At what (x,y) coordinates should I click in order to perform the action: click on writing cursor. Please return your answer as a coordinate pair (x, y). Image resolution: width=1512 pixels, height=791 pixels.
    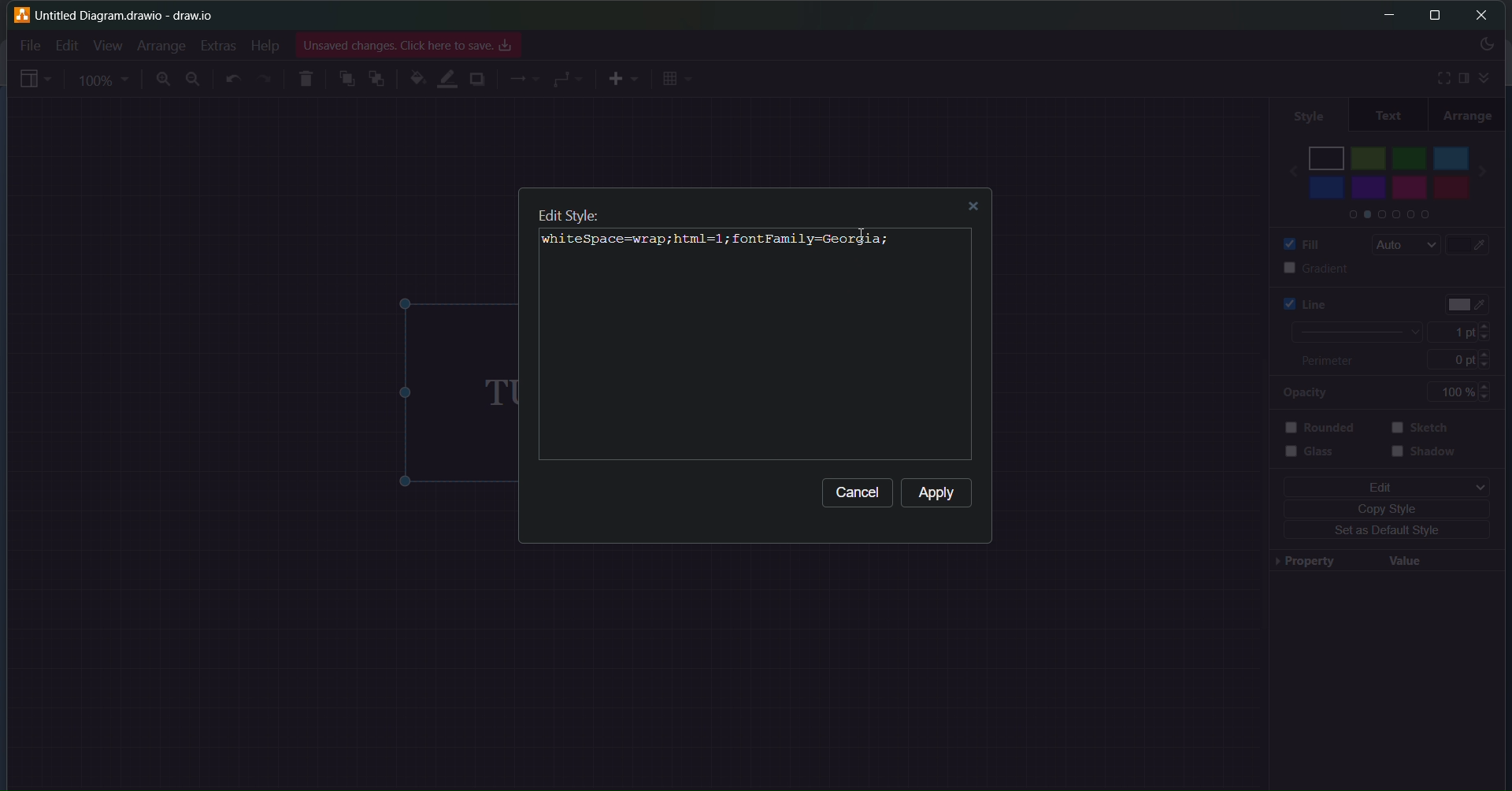
    Looking at the image, I should click on (561, 237).